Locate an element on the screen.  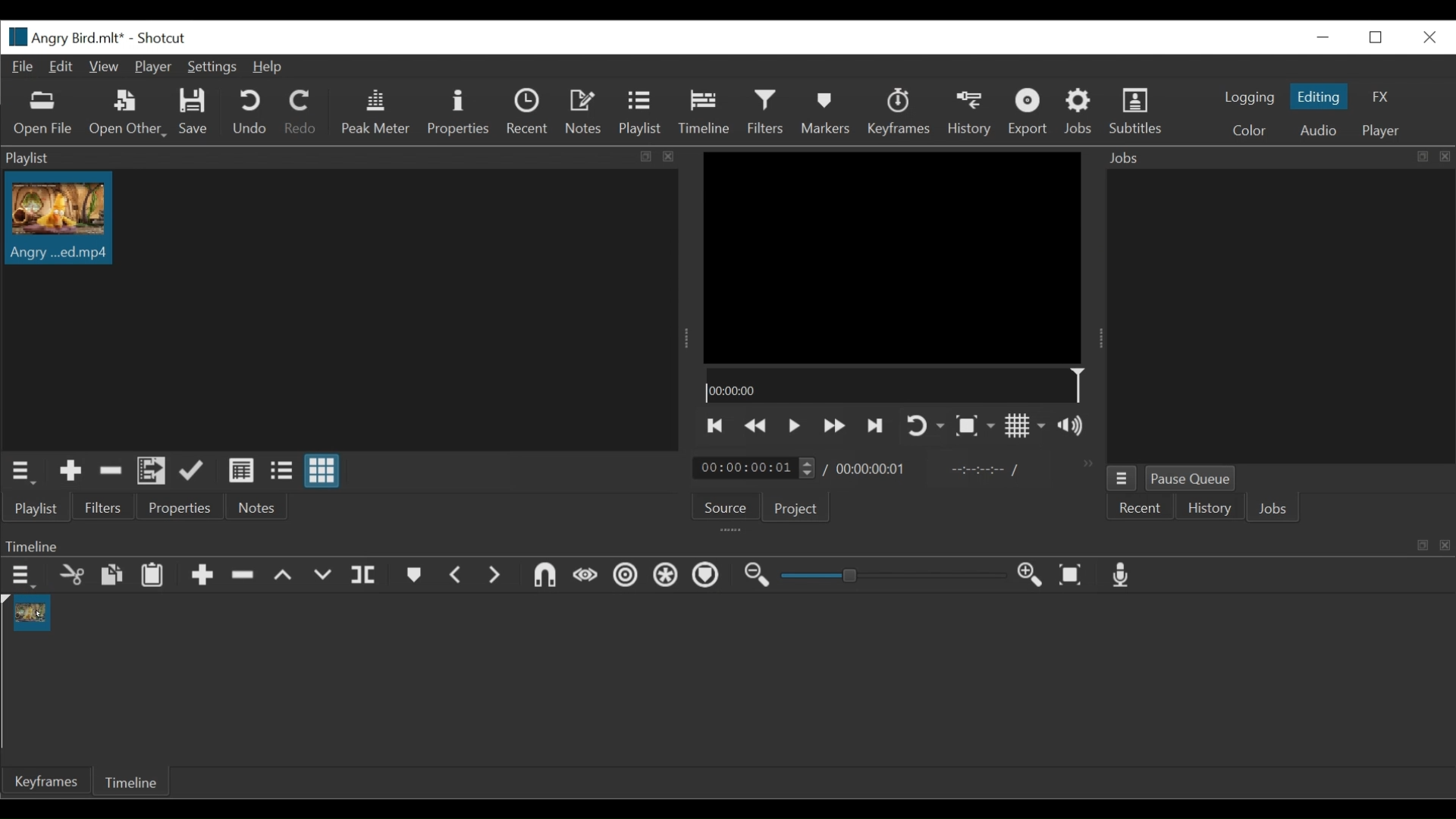
Total Duration is located at coordinates (873, 469).